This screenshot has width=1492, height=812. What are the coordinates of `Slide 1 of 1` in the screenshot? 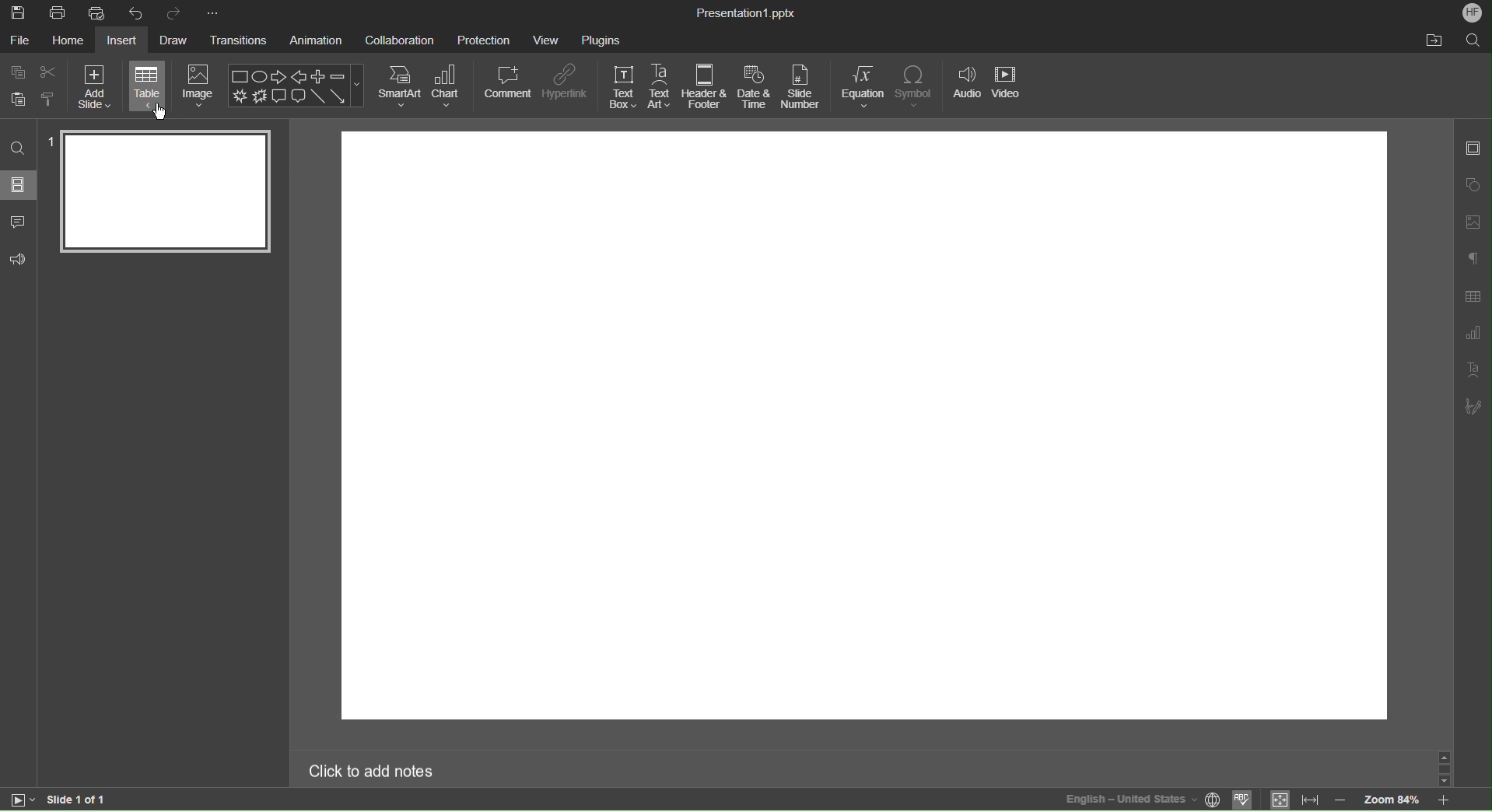 It's located at (77, 799).